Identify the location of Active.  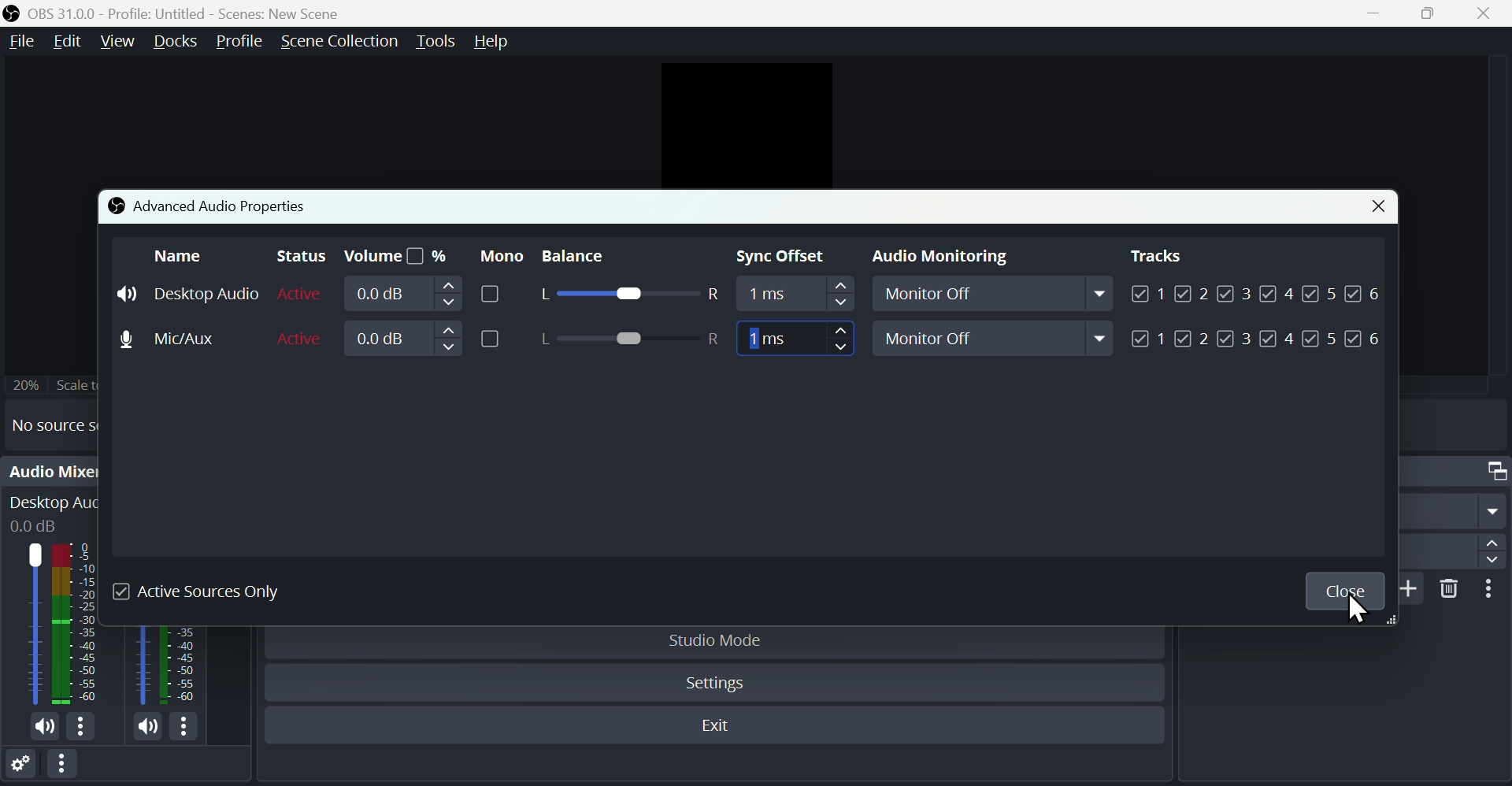
(301, 294).